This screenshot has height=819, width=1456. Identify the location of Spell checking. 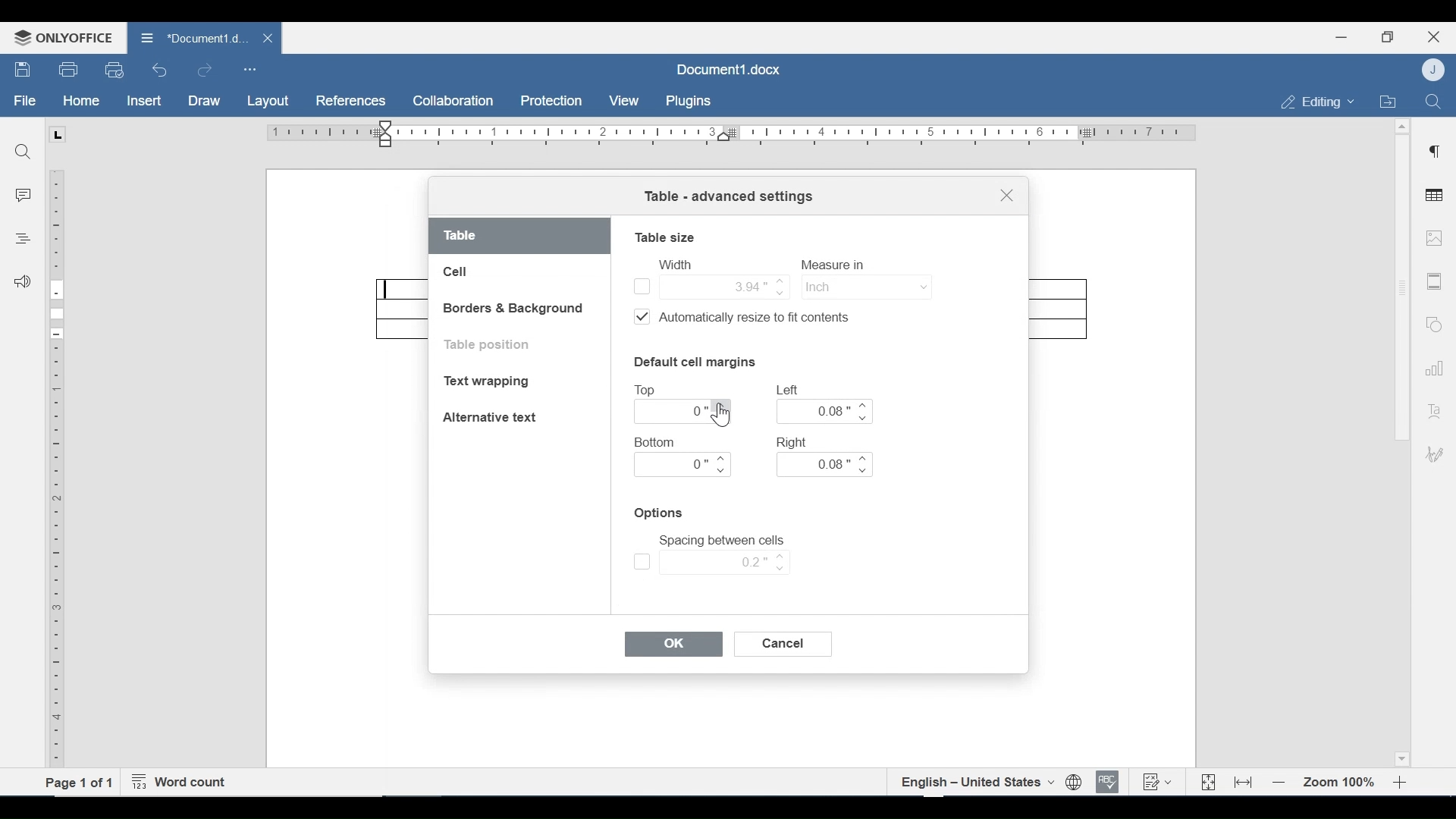
(1108, 782).